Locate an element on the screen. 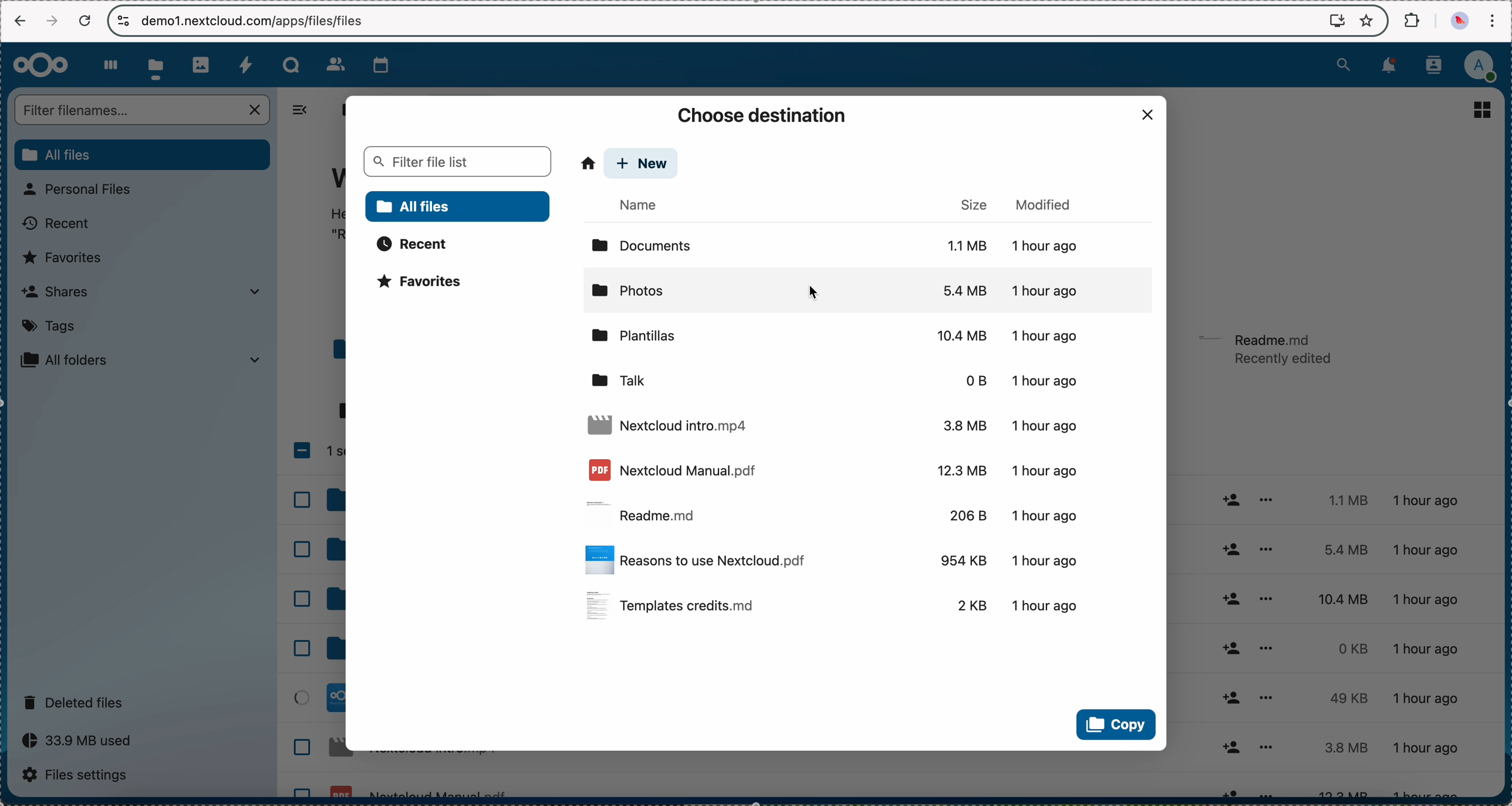  file is located at coordinates (844, 510).